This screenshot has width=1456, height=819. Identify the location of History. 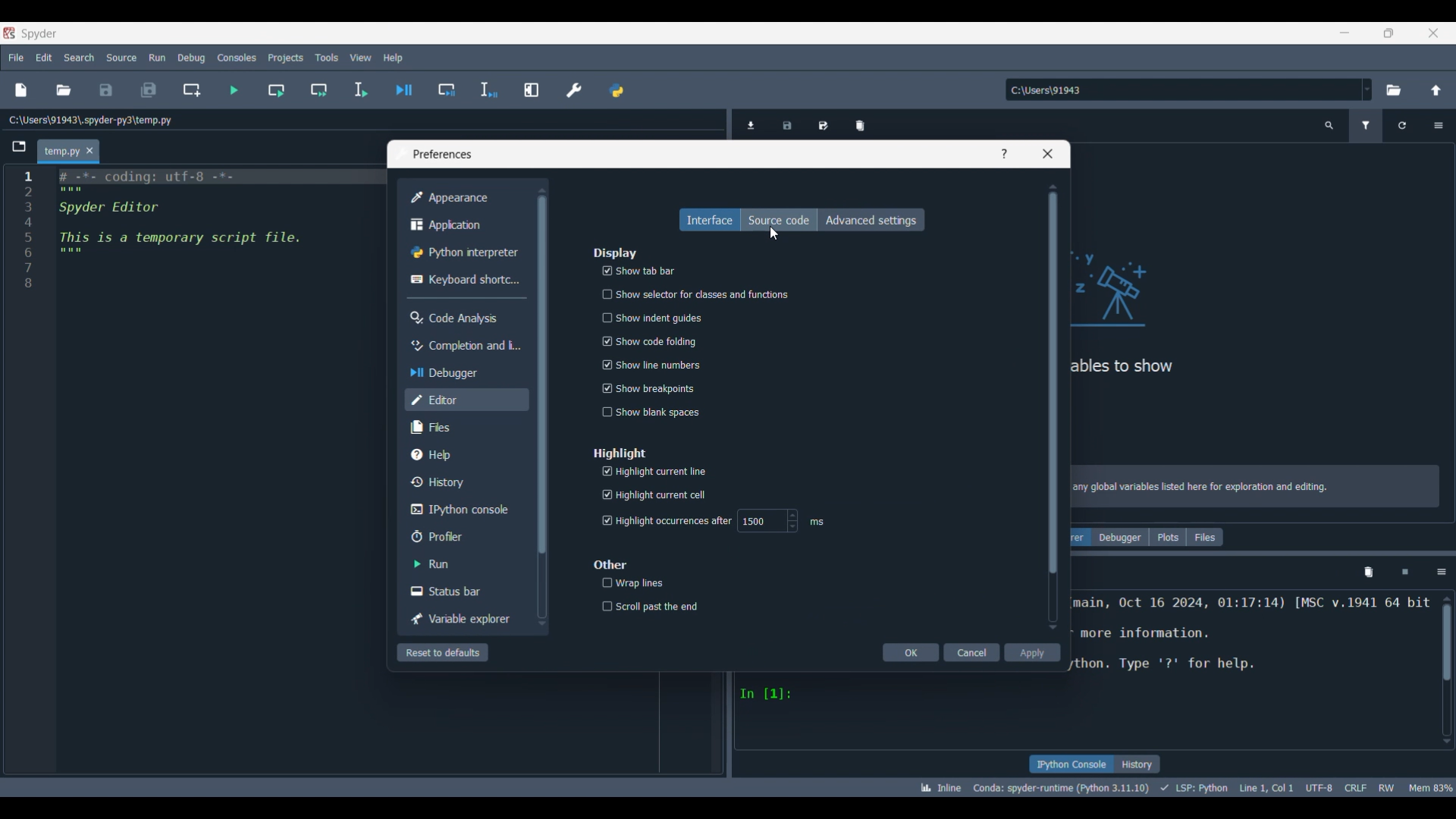
(466, 482).